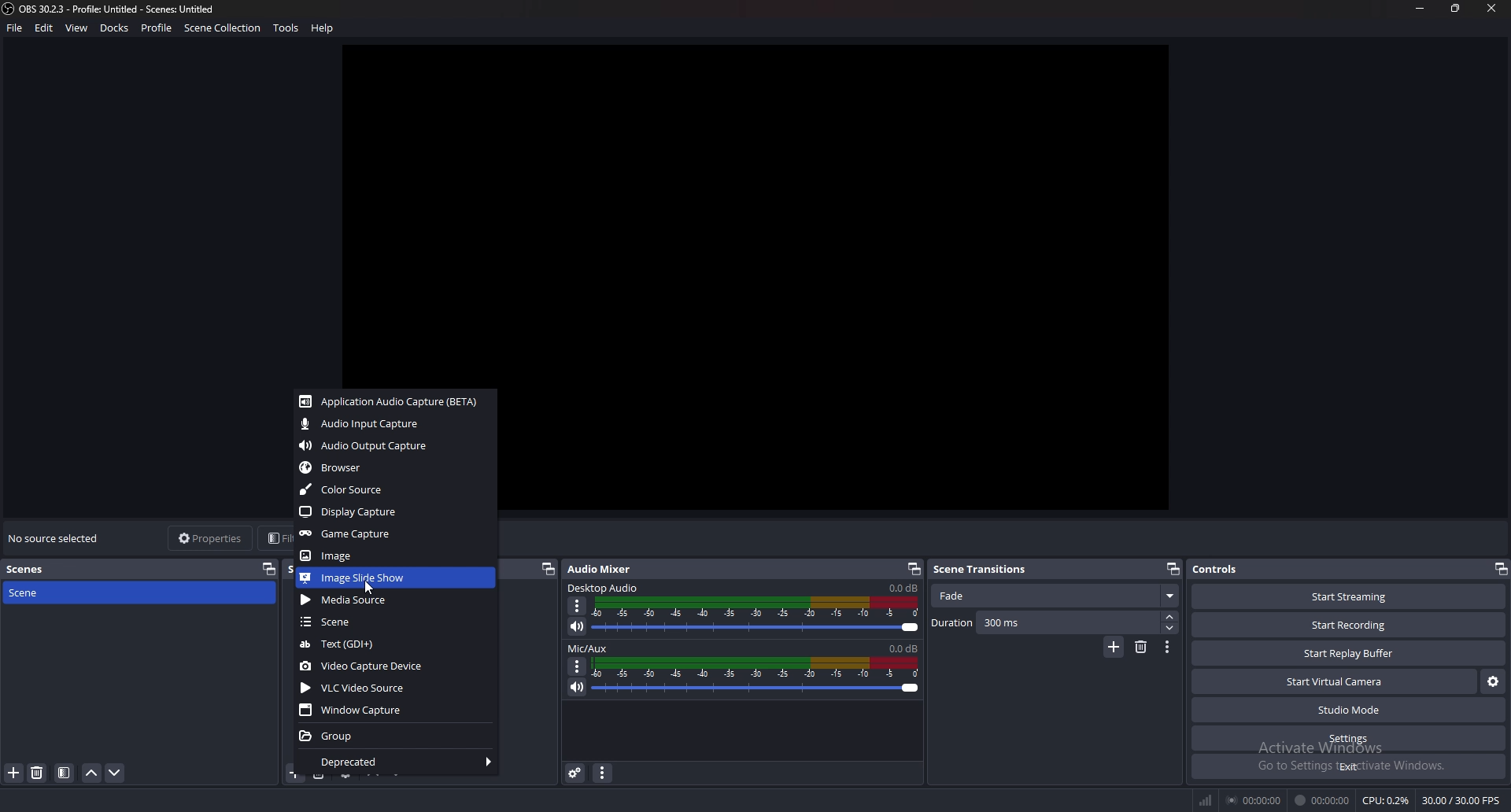 Image resolution: width=1511 pixels, height=812 pixels. I want to click on controls, so click(1225, 570).